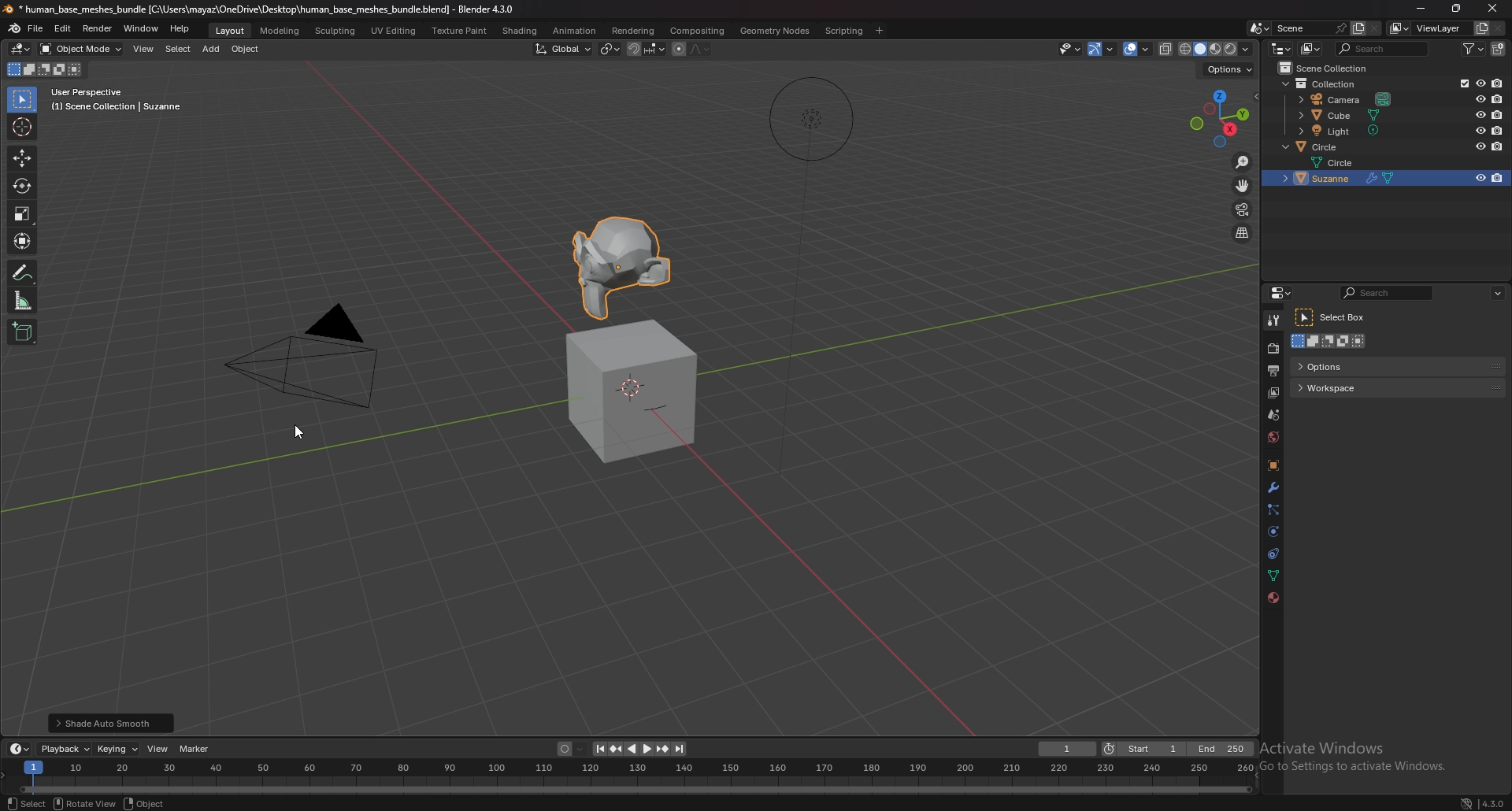 The width and height of the screenshot is (1512, 811). I want to click on scale, so click(23, 214).